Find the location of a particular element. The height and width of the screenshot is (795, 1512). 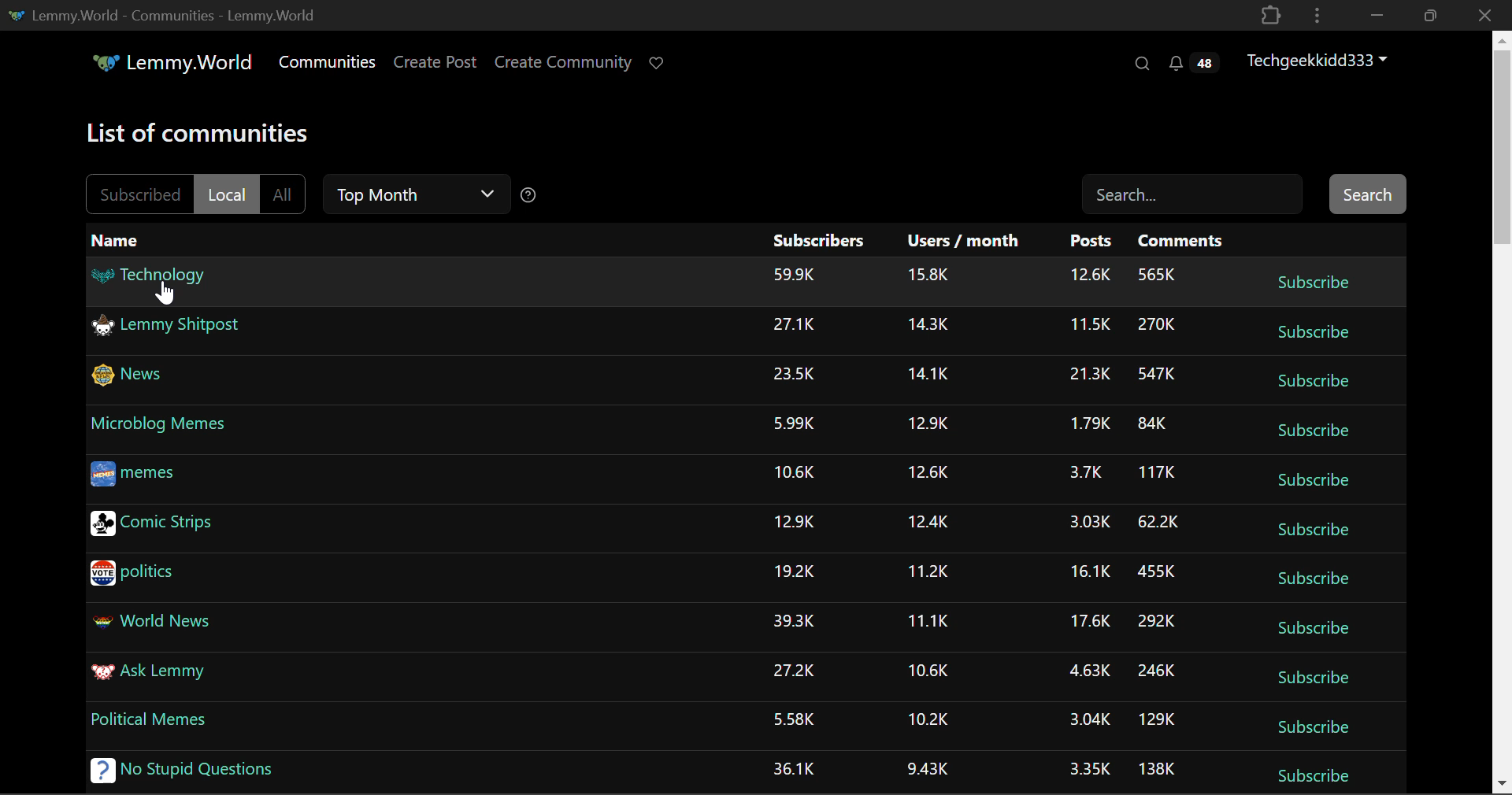

Amount  is located at coordinates (1088, 625).